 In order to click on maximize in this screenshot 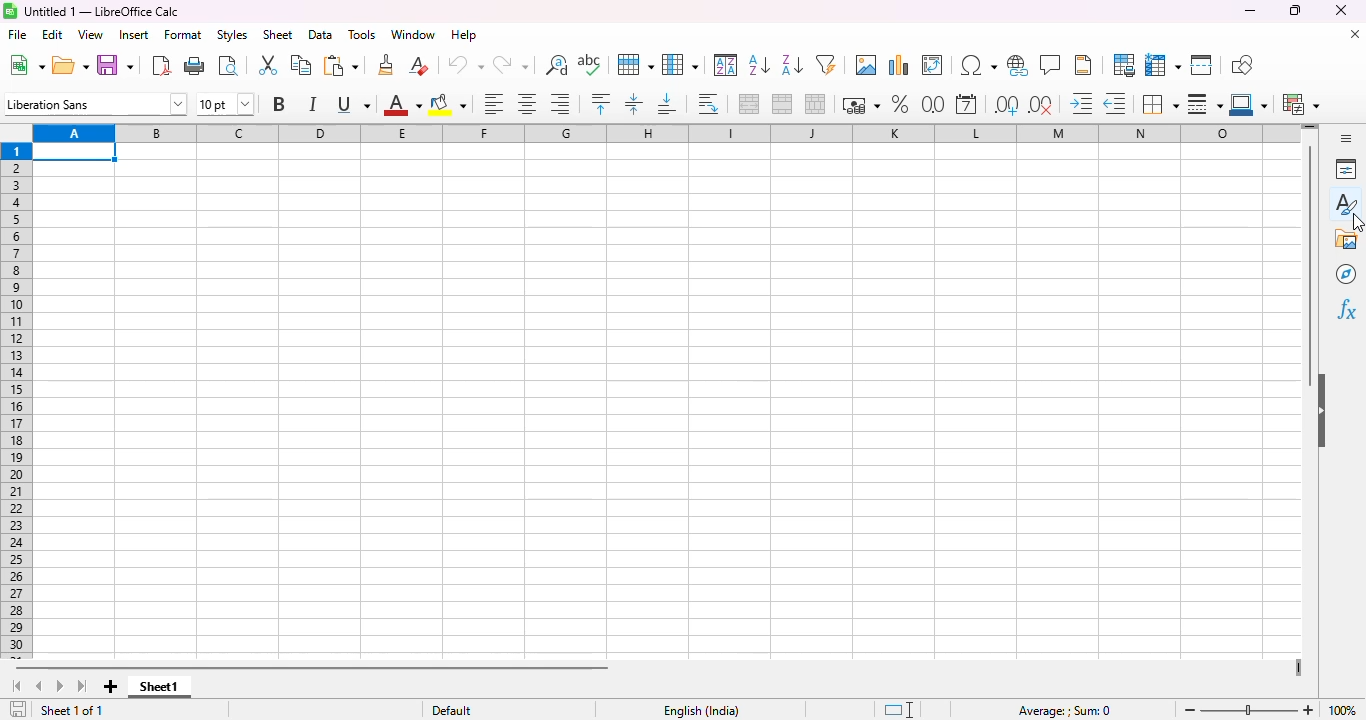, I will do `click(1296, 10)`.